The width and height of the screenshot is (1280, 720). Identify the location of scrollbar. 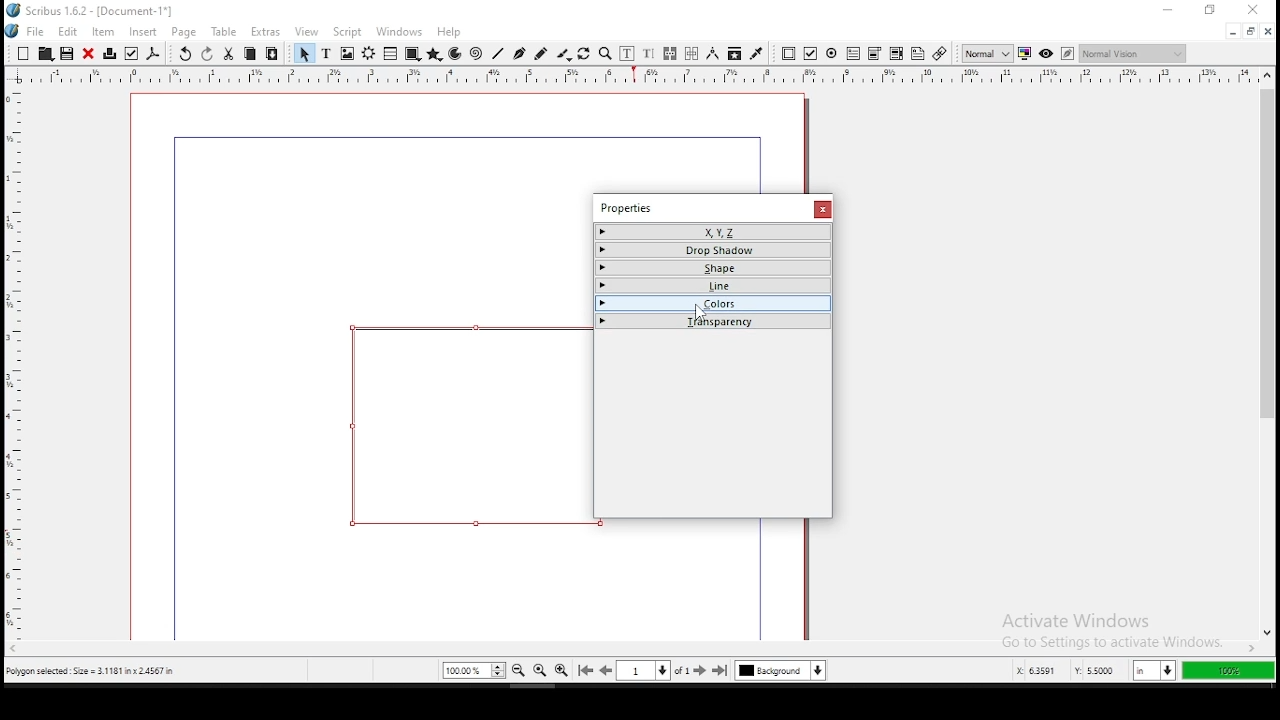
(805, 580).